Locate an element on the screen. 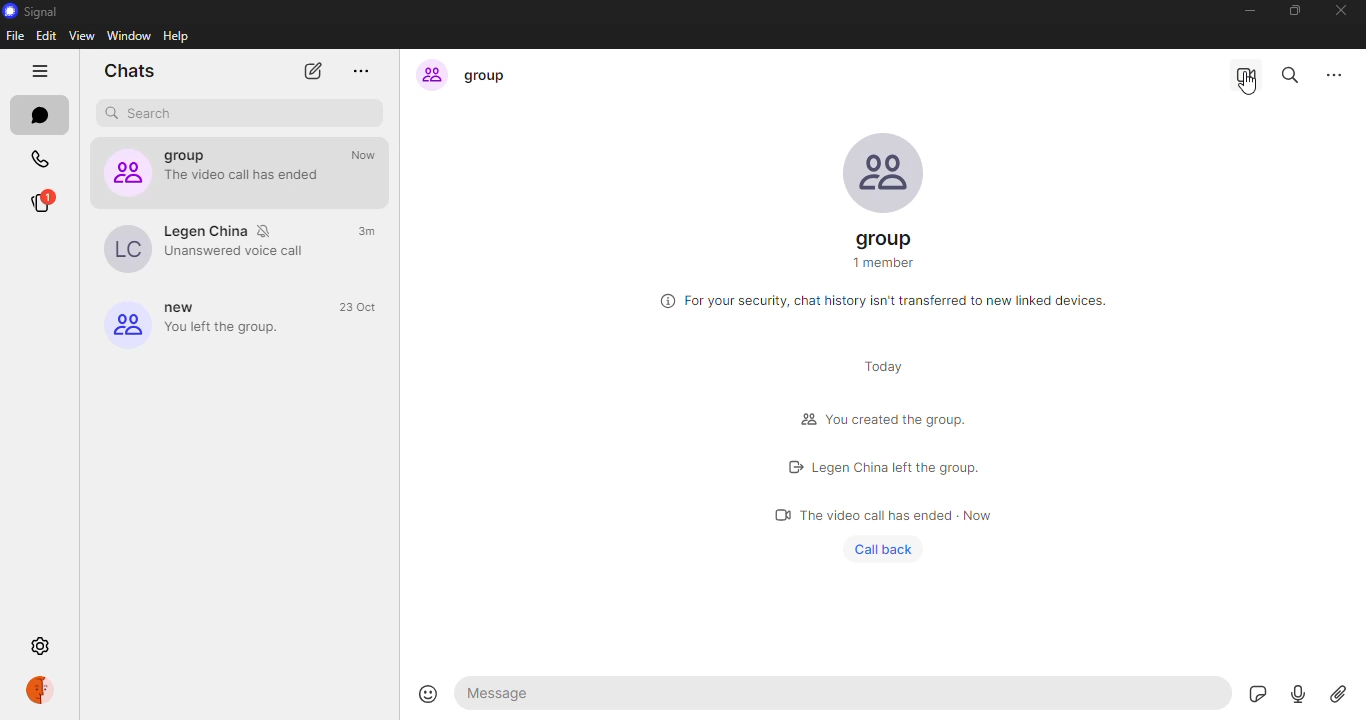 The image size is (1366, 720). group profile is located at coordinates (429, 74).